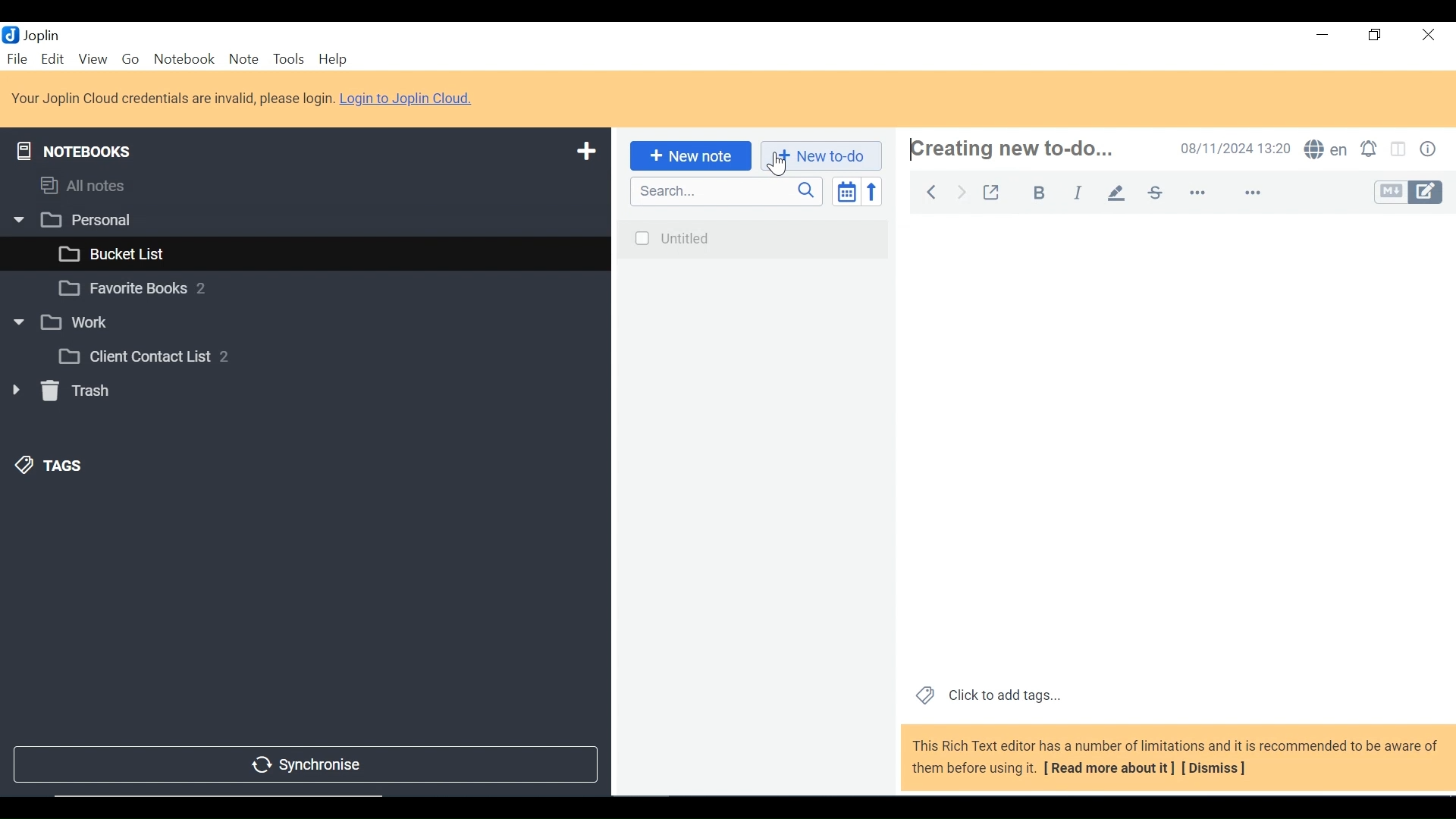 The height and width of the screenshot is (819, 1456). I want to click on Highlight, so click(1121, 192).